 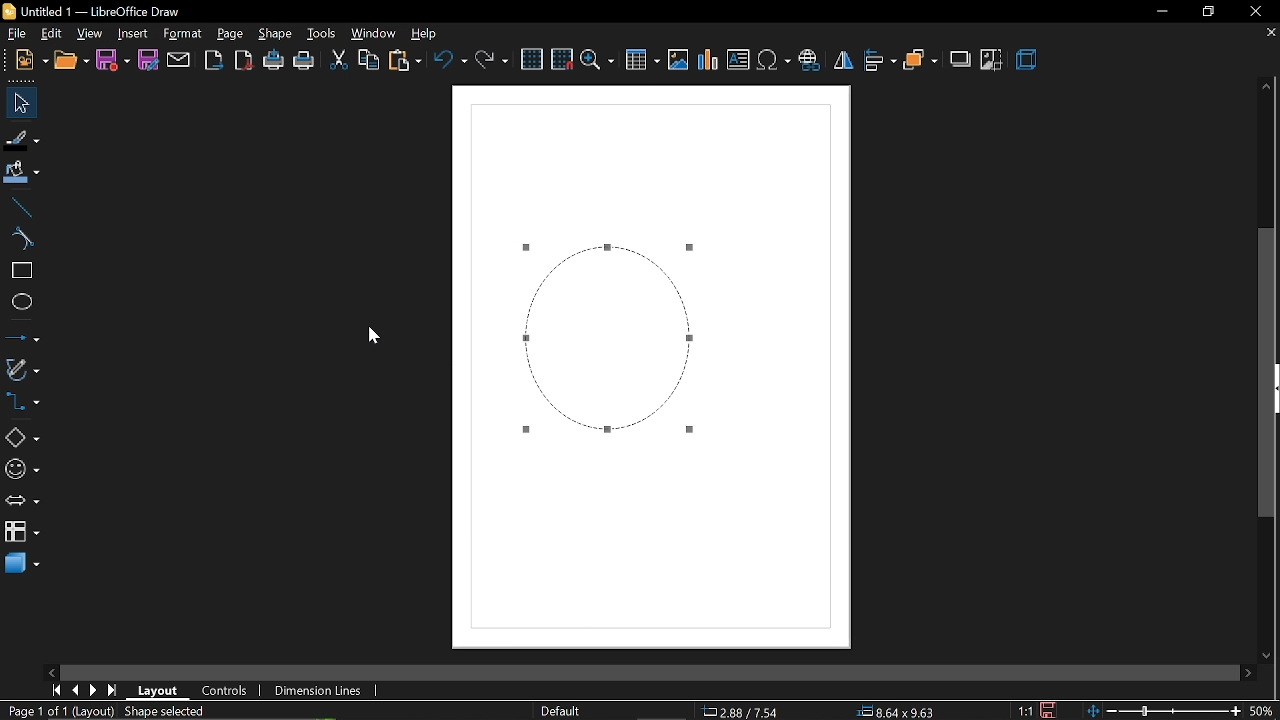 What do you see at coordinates (24, 402) in the screenshot?
I see `connectors` at bounding box center [24, 402].